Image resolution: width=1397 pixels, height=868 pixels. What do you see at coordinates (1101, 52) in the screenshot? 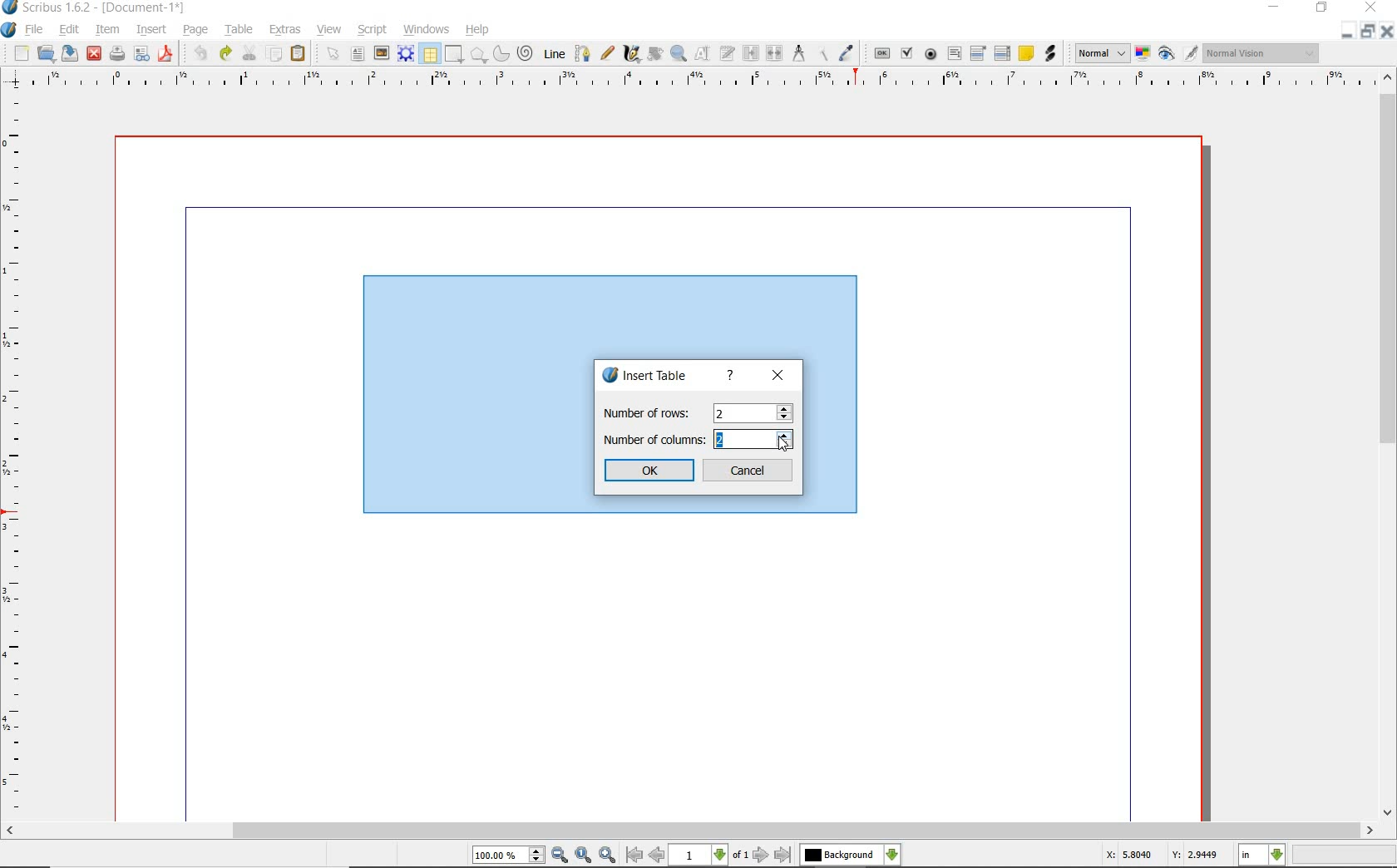
I see `image preview quality` at bounding box center [1101, 52].